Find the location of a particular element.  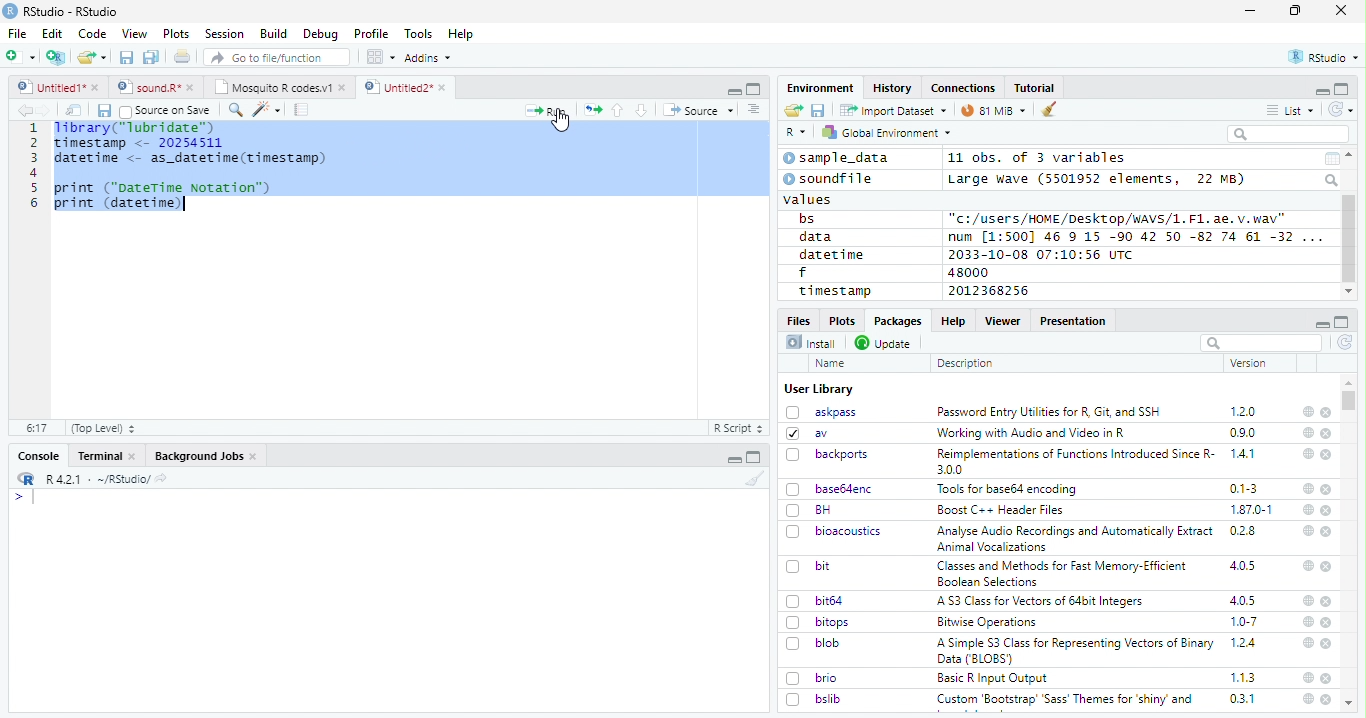

Code tools is located at coordinates (265, 109).